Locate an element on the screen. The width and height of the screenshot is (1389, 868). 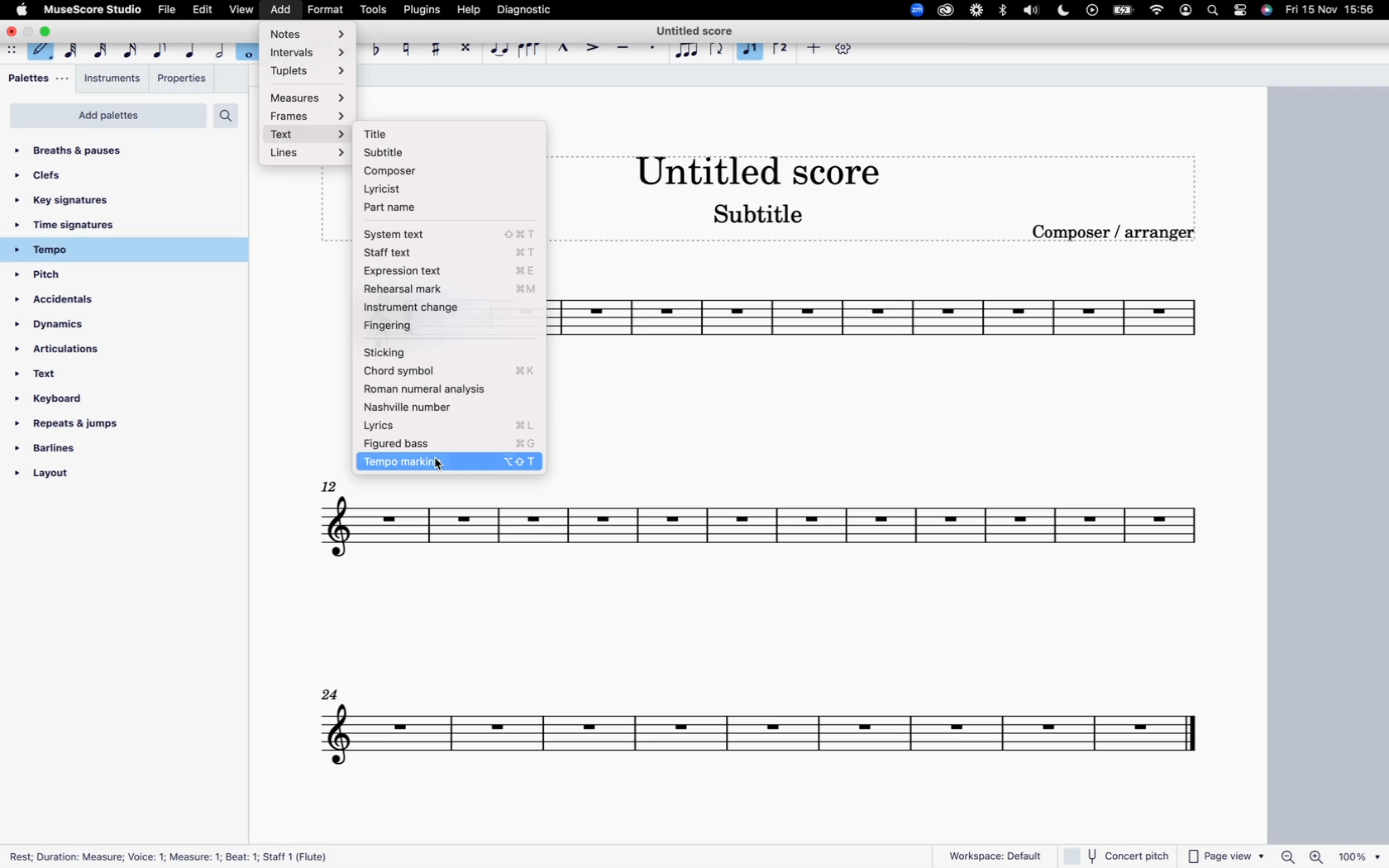
expression text is located at coordinates (453, 269).